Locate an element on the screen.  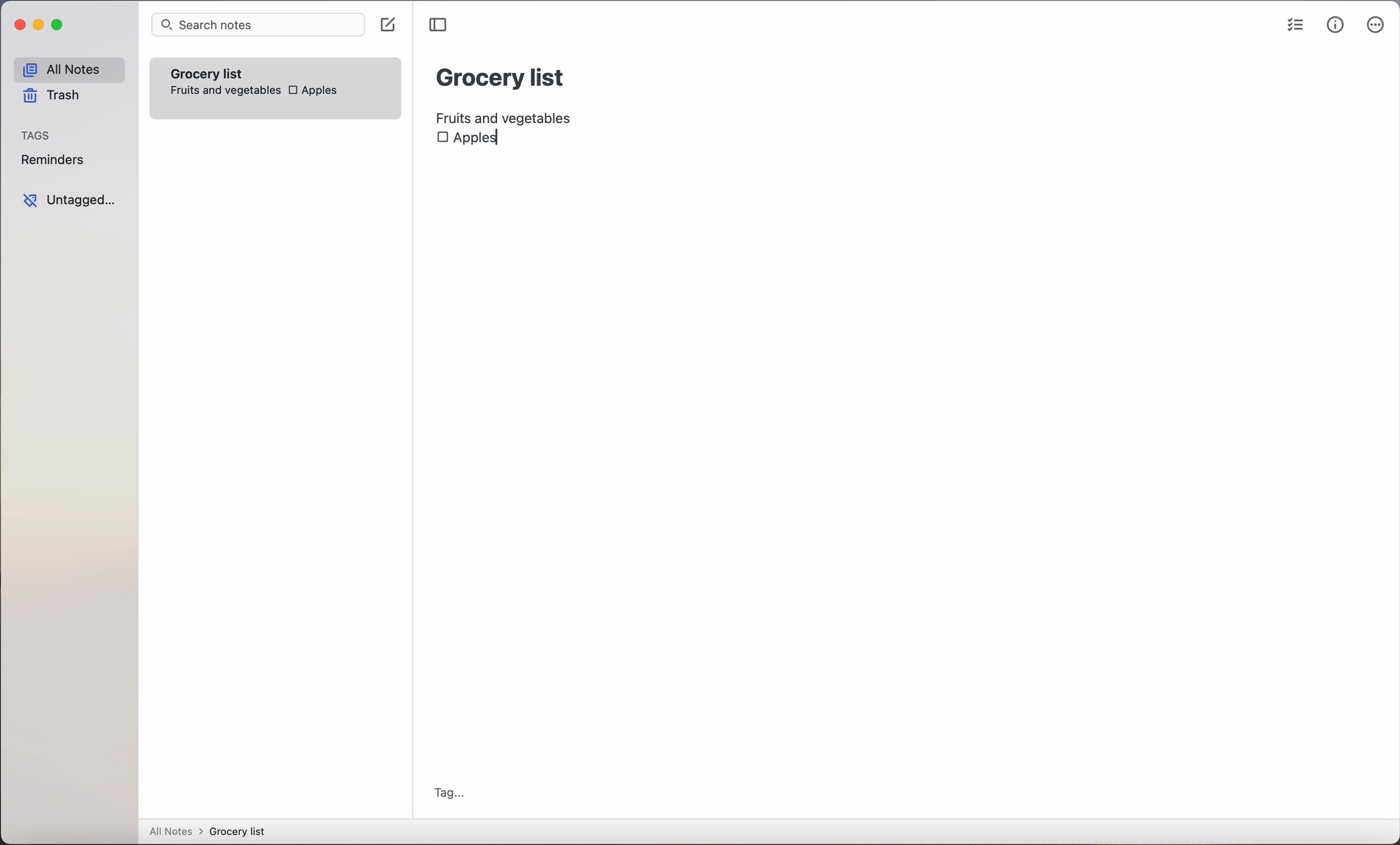
trash is located at coordinates (50, 98).